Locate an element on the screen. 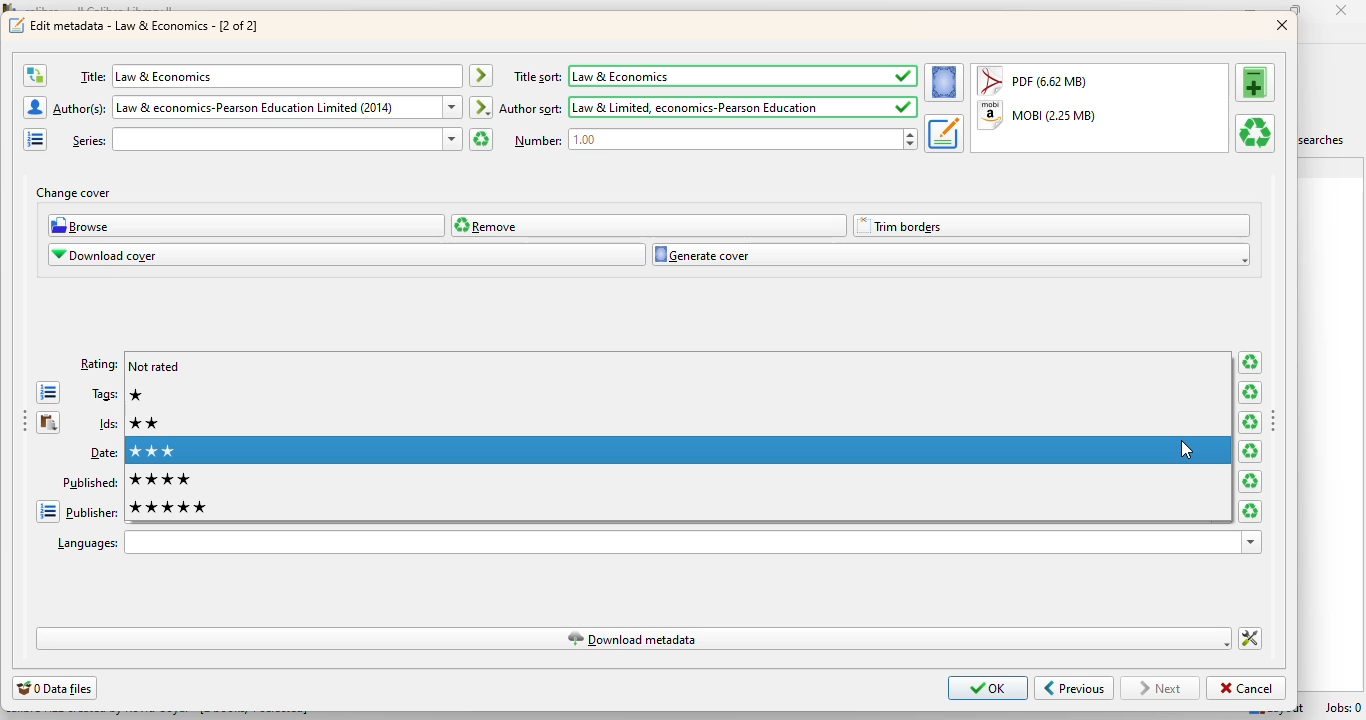 This screenshot has height=720, width=1366. edit metadata is located at coordinates (146, 25).